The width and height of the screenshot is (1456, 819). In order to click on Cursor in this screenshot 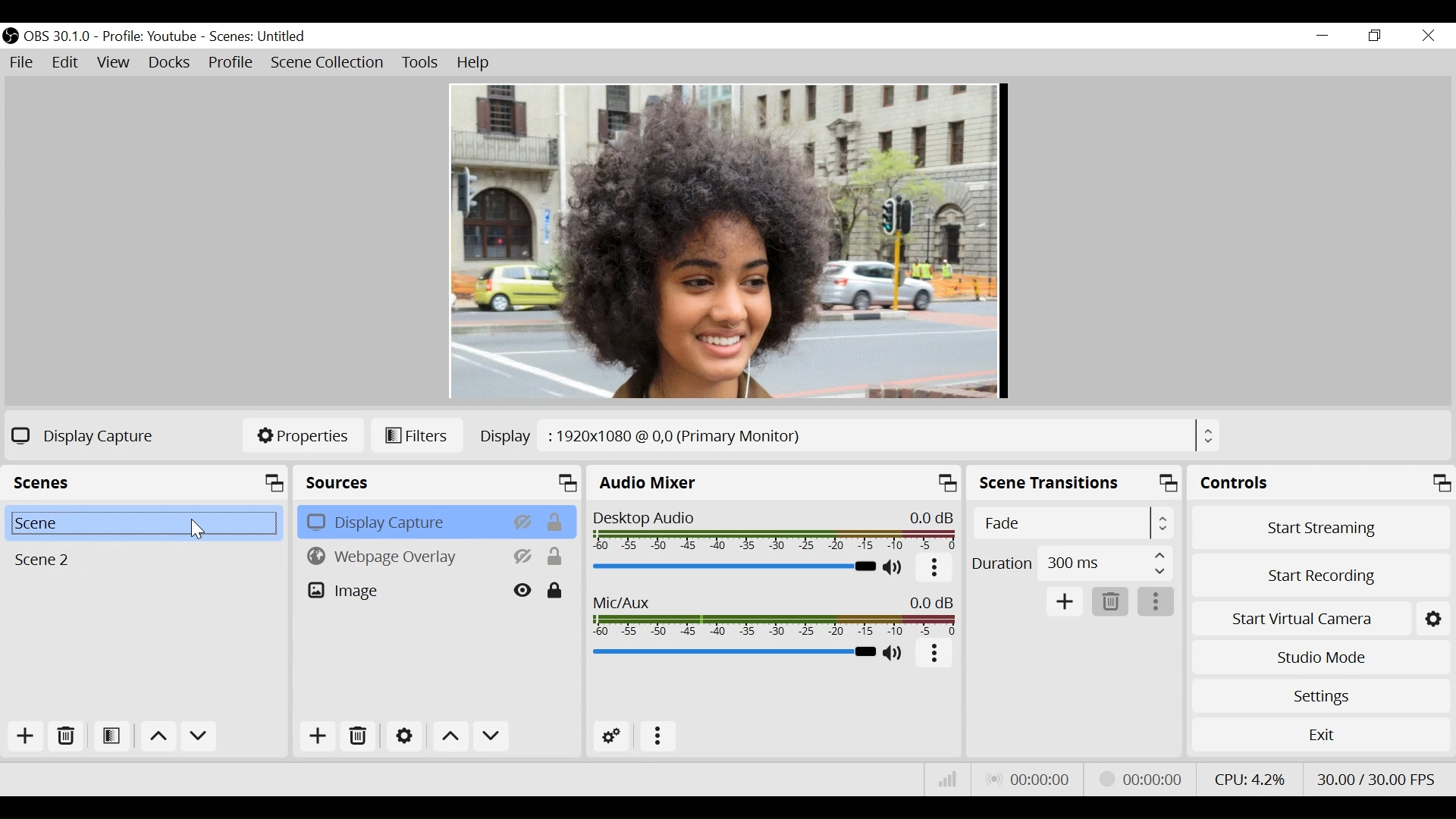, I will do `click(196, 531)`.